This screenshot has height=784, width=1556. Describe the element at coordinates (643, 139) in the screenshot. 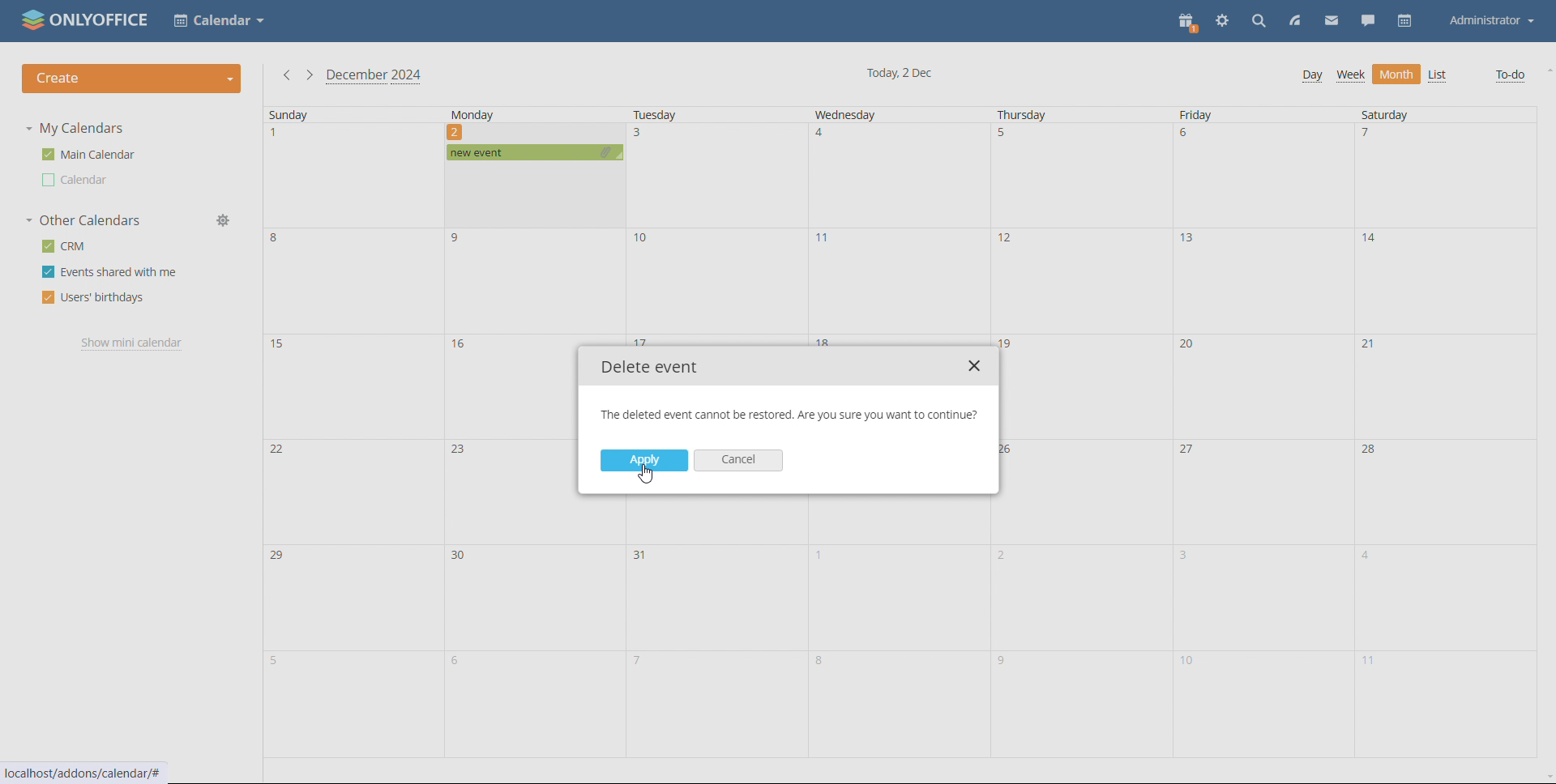

I see `3` at that location.